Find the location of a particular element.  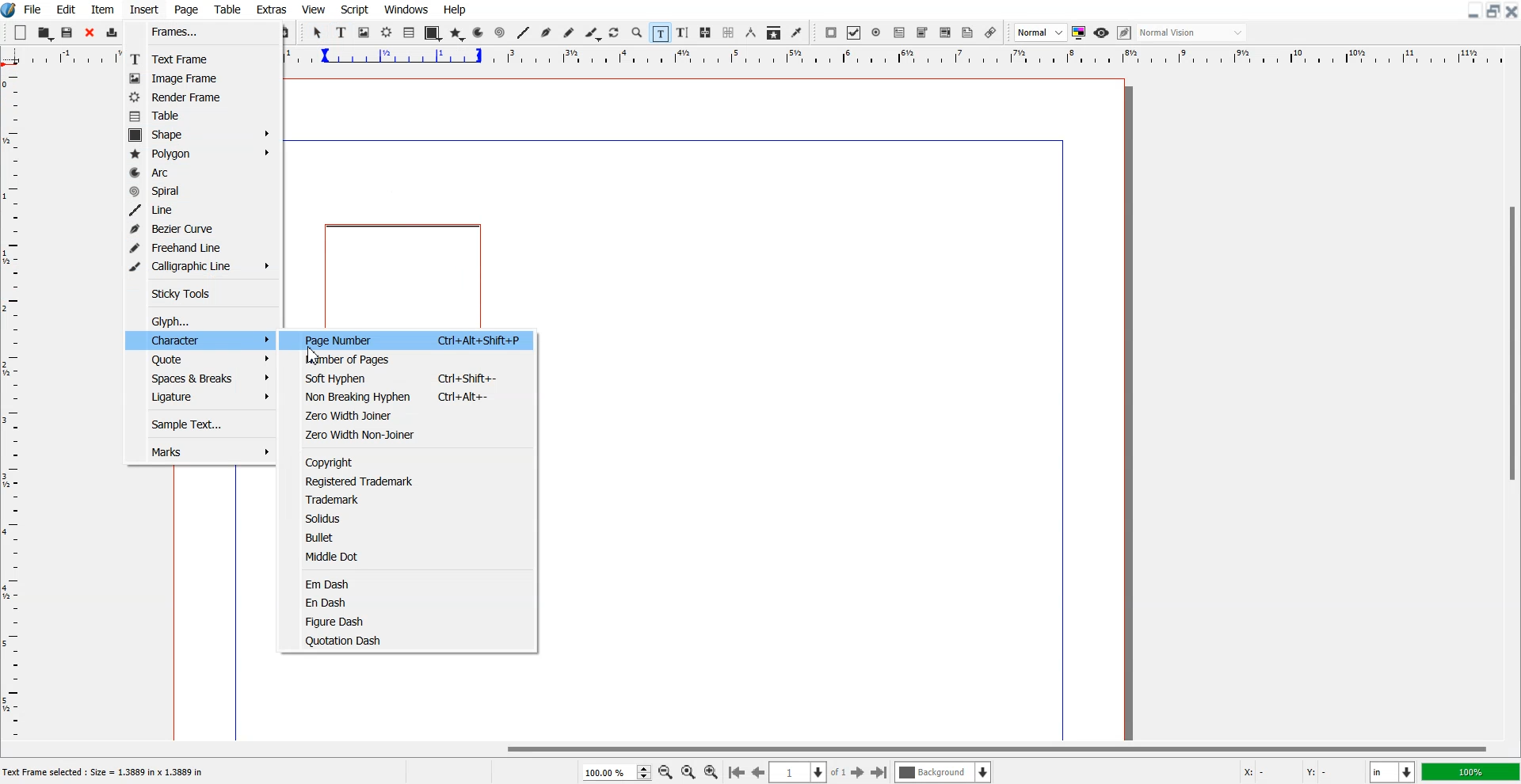

Horizontal scroll bar is located at coordinates (760, 748).